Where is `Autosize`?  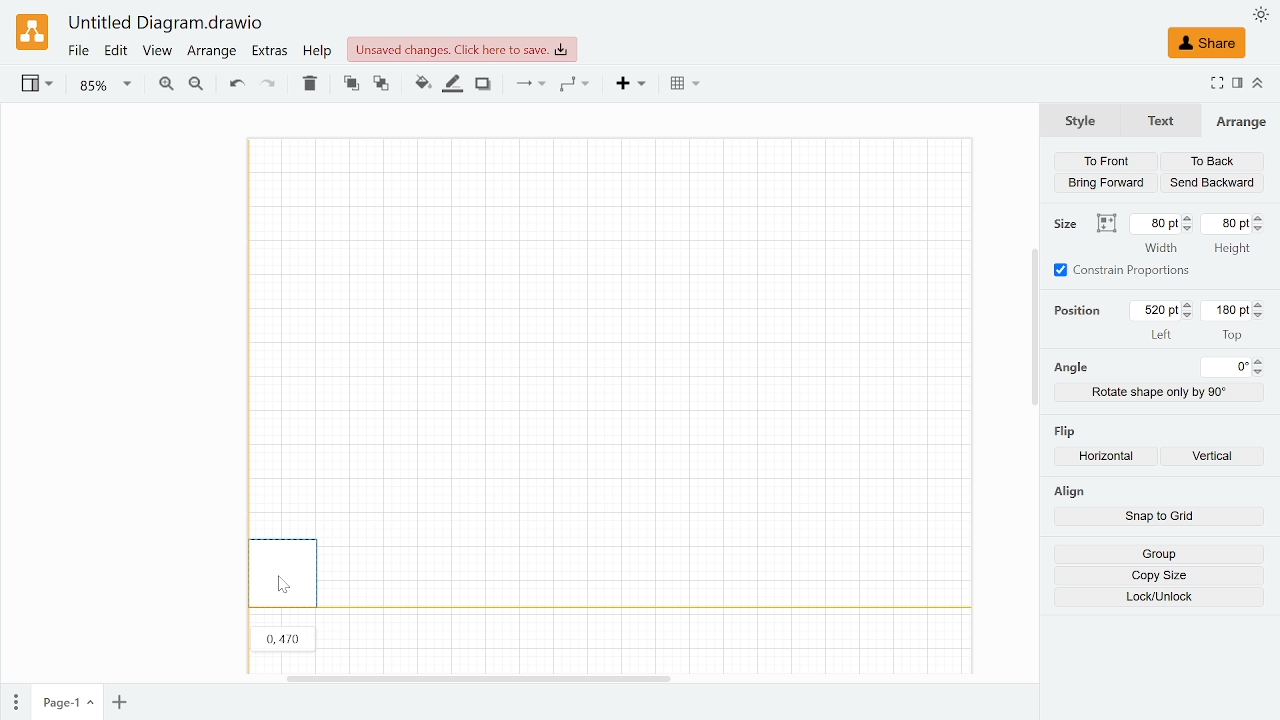
Autosize is located at coordinates (1106, 224).